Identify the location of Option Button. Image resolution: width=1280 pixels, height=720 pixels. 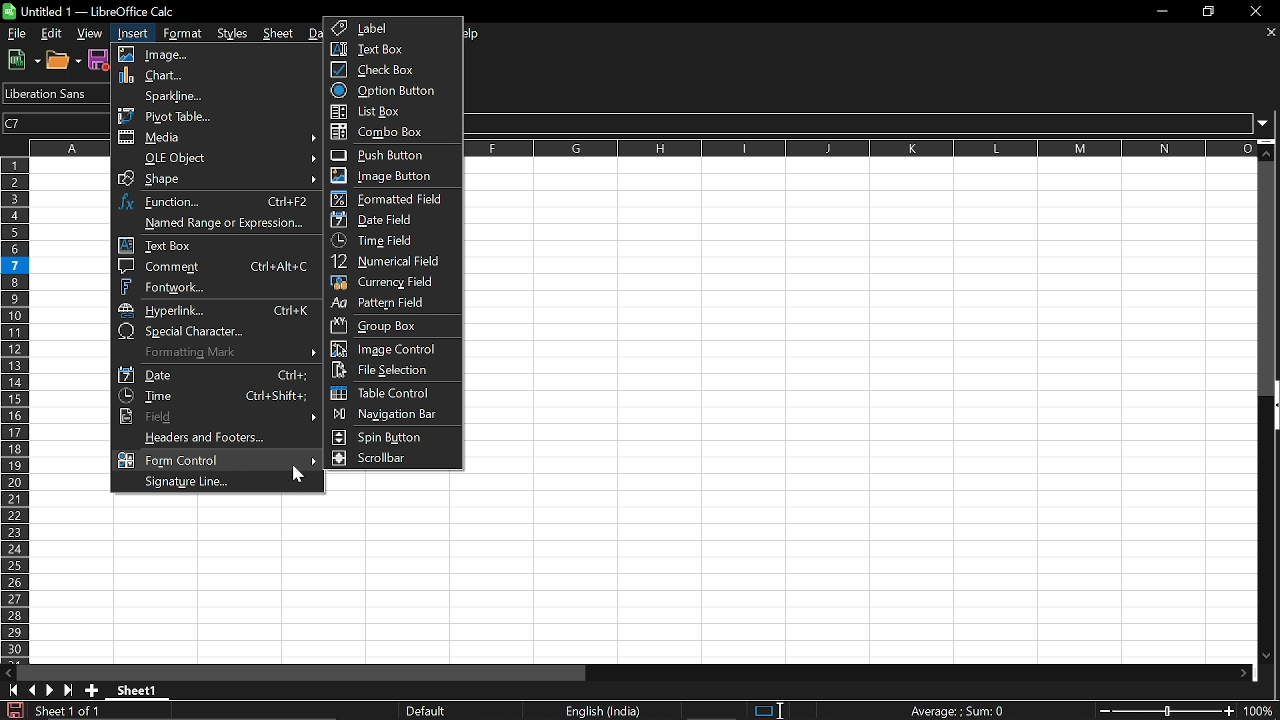
(387, 91).